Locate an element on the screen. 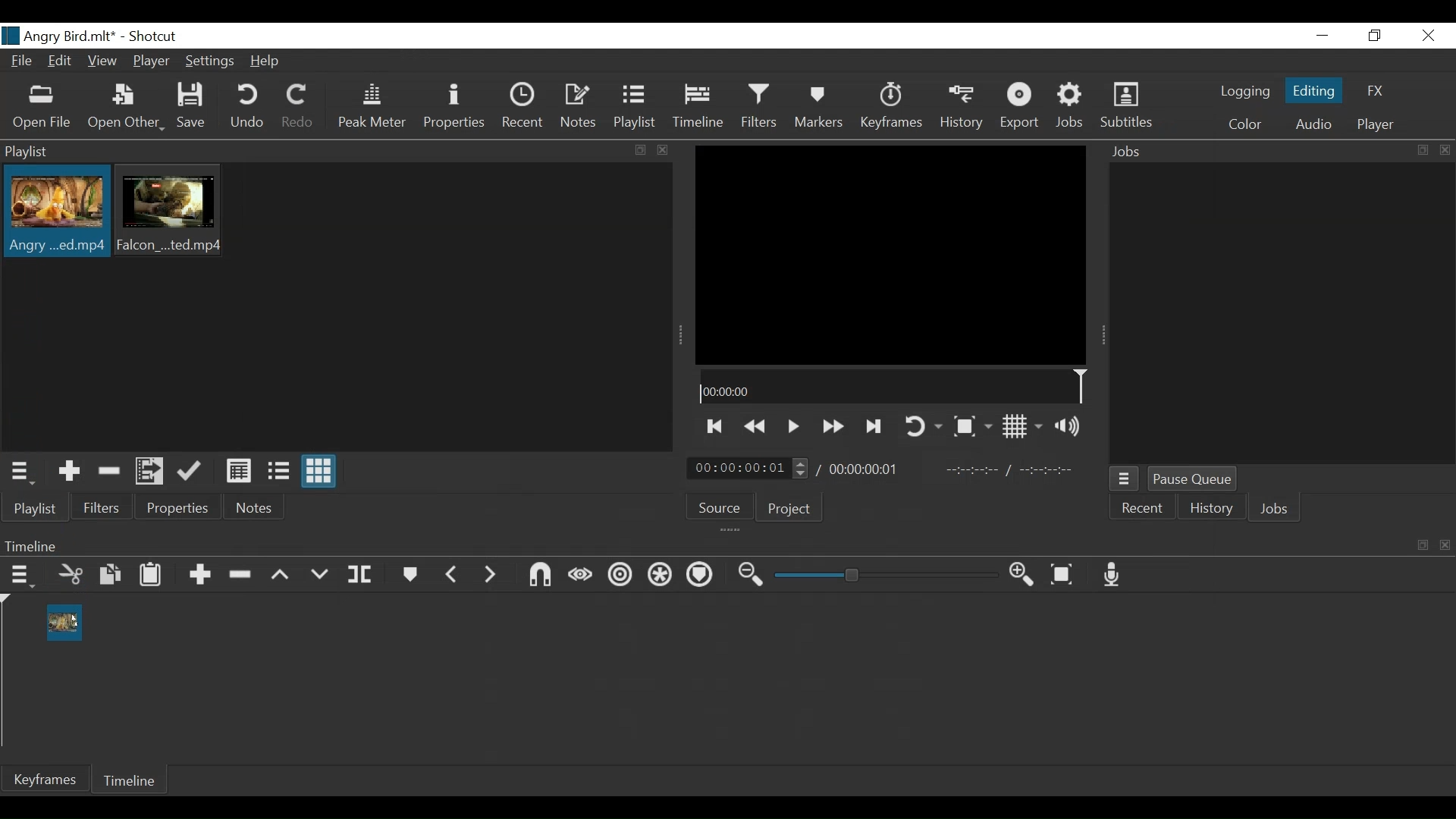 The height and width of the screenshot is (819, 1456). Remove cut is located at coordinates (108, 473).